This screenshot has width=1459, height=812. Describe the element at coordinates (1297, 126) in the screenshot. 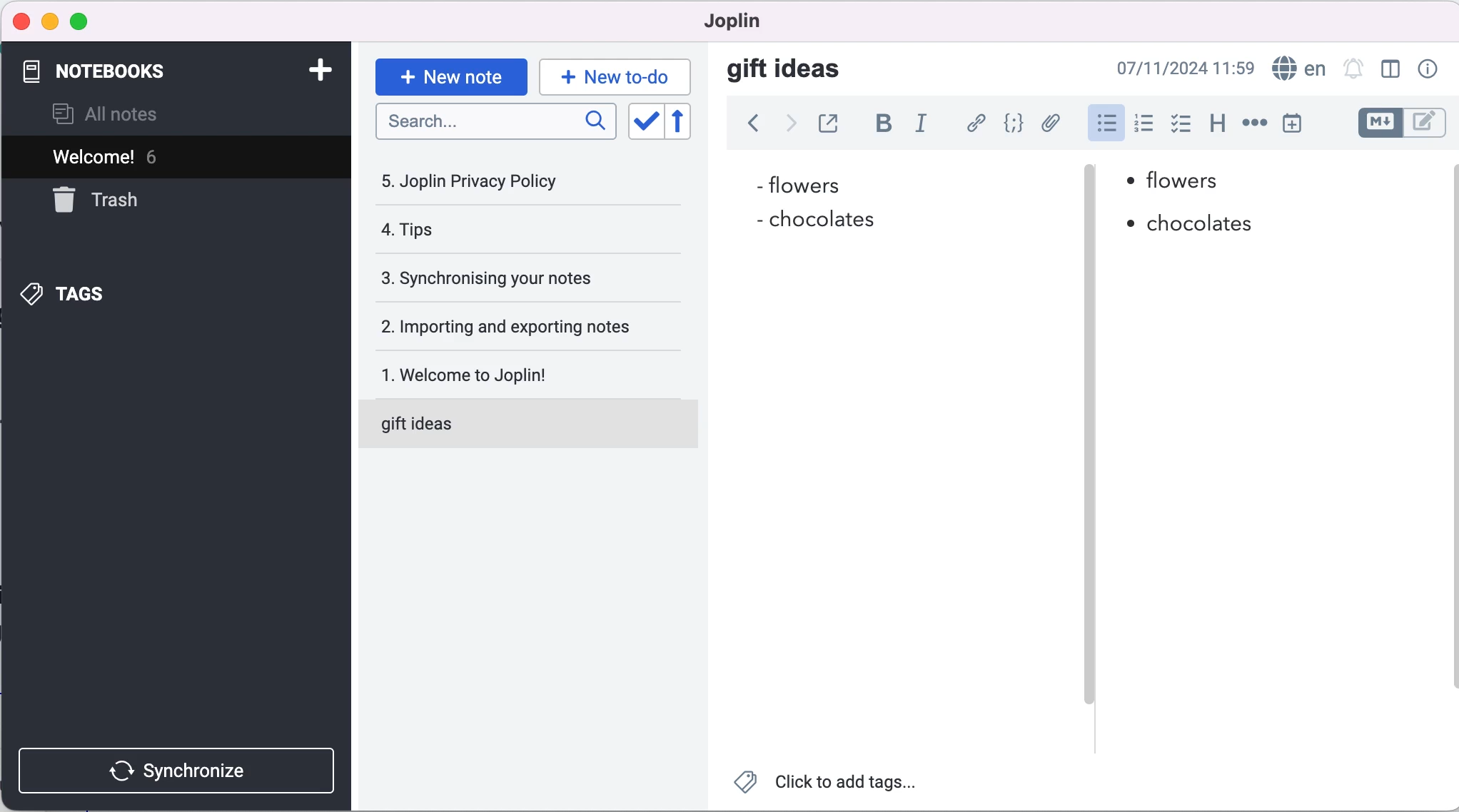

I see `insert time` at that location.